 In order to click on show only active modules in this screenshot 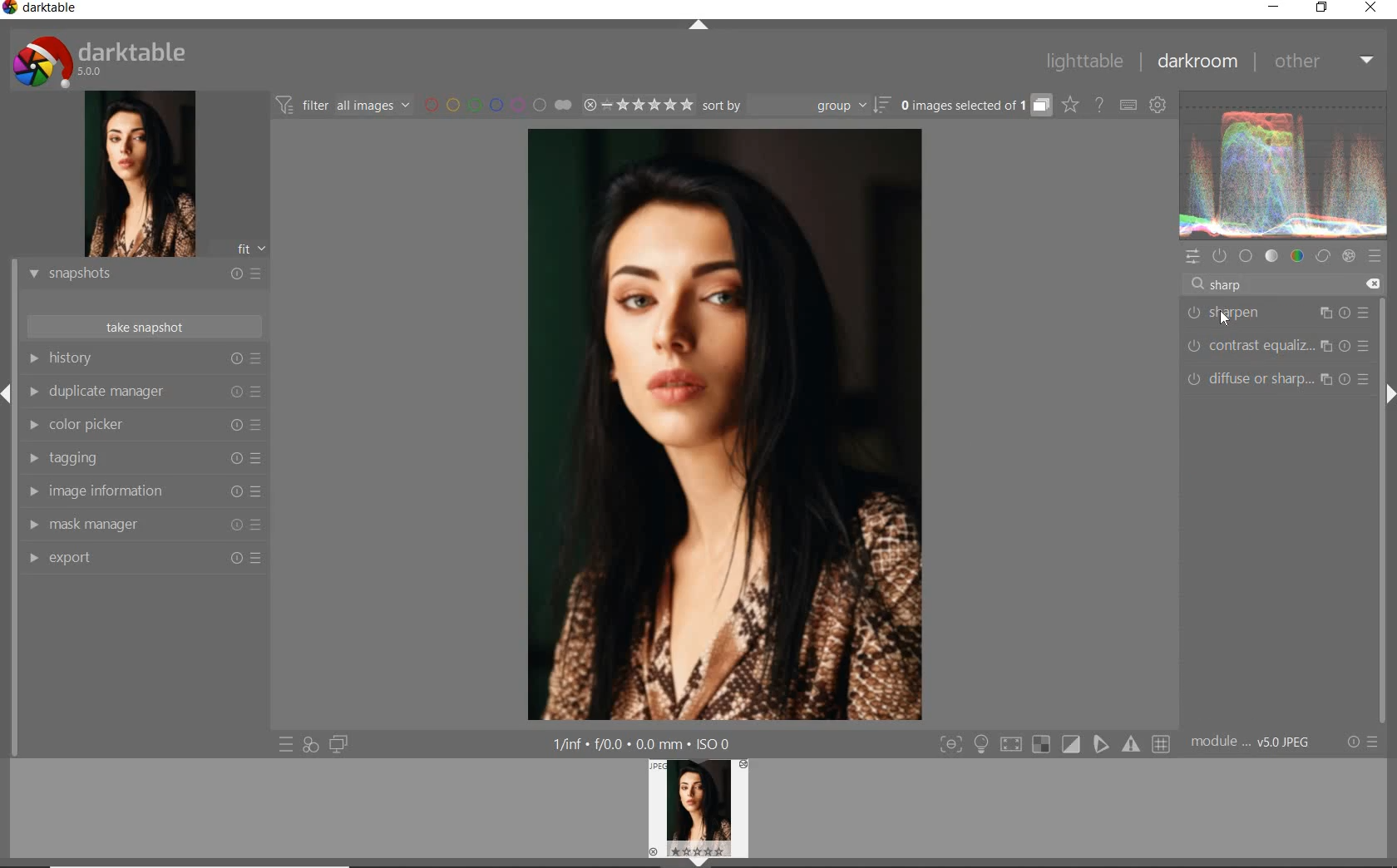, I will do `click(1222, 255)`.